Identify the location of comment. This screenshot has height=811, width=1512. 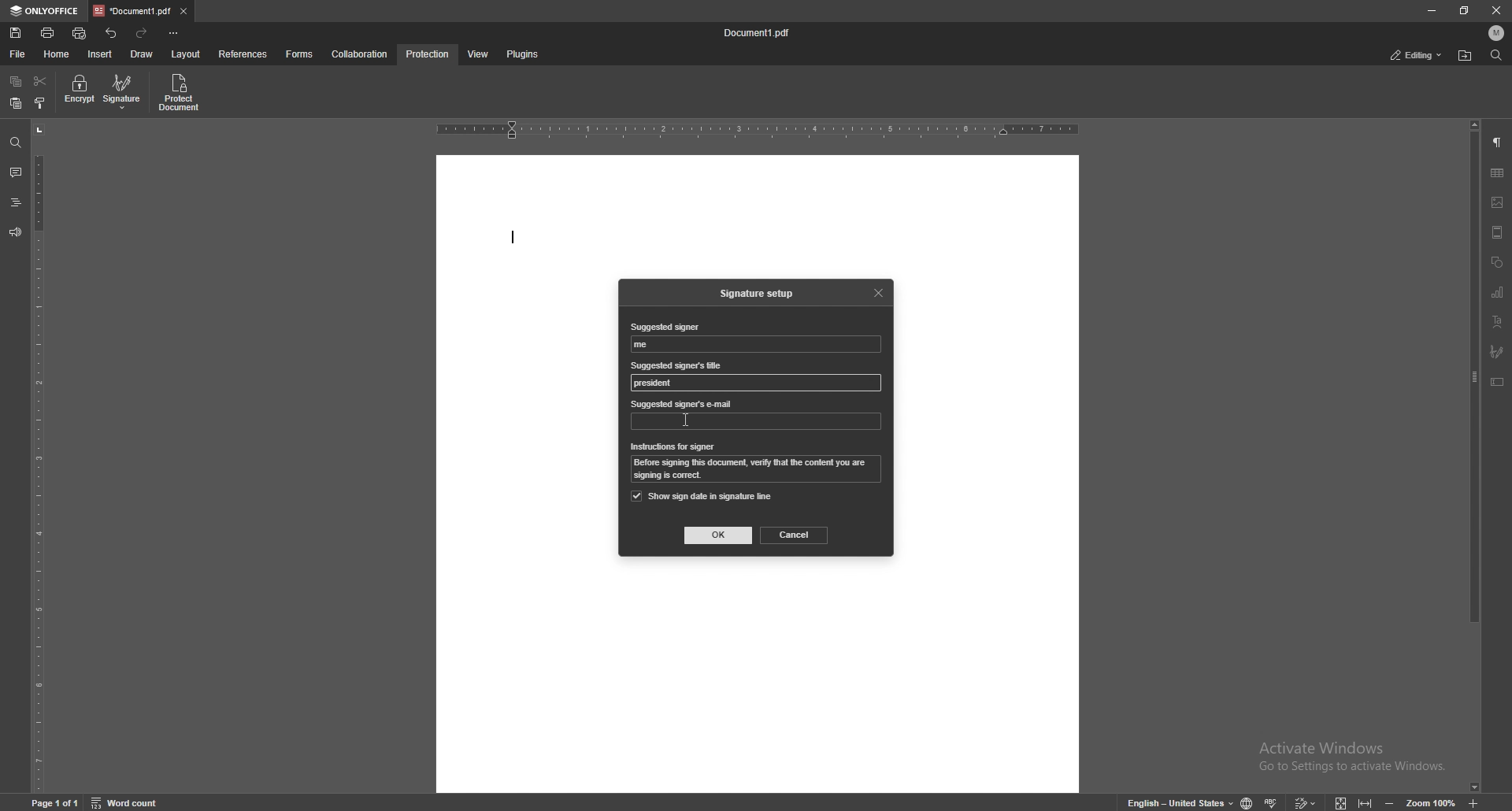
(13, 172).